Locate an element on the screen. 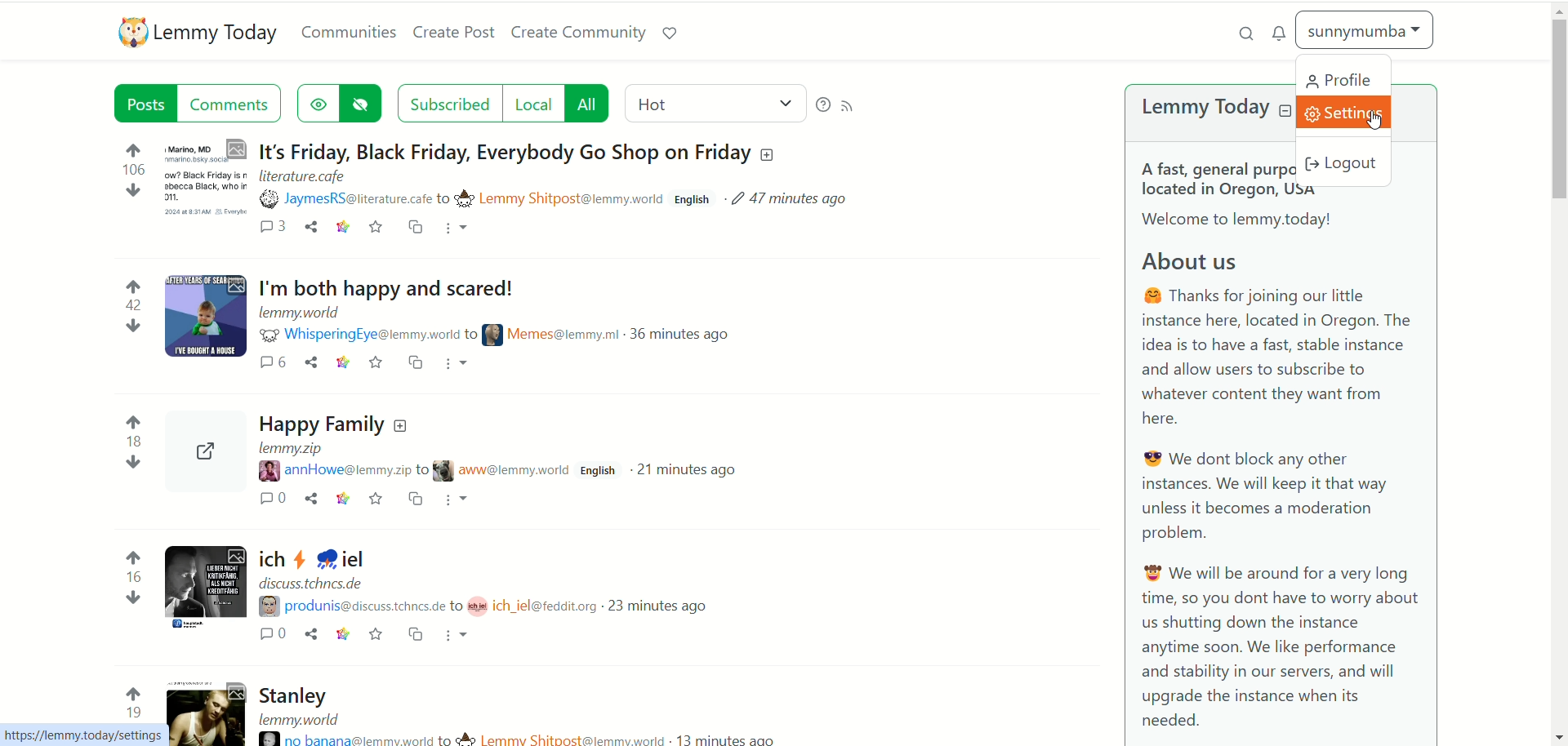 This screenshot has height=746, width=1568. Cursor is located at coordinates (1378, 122).